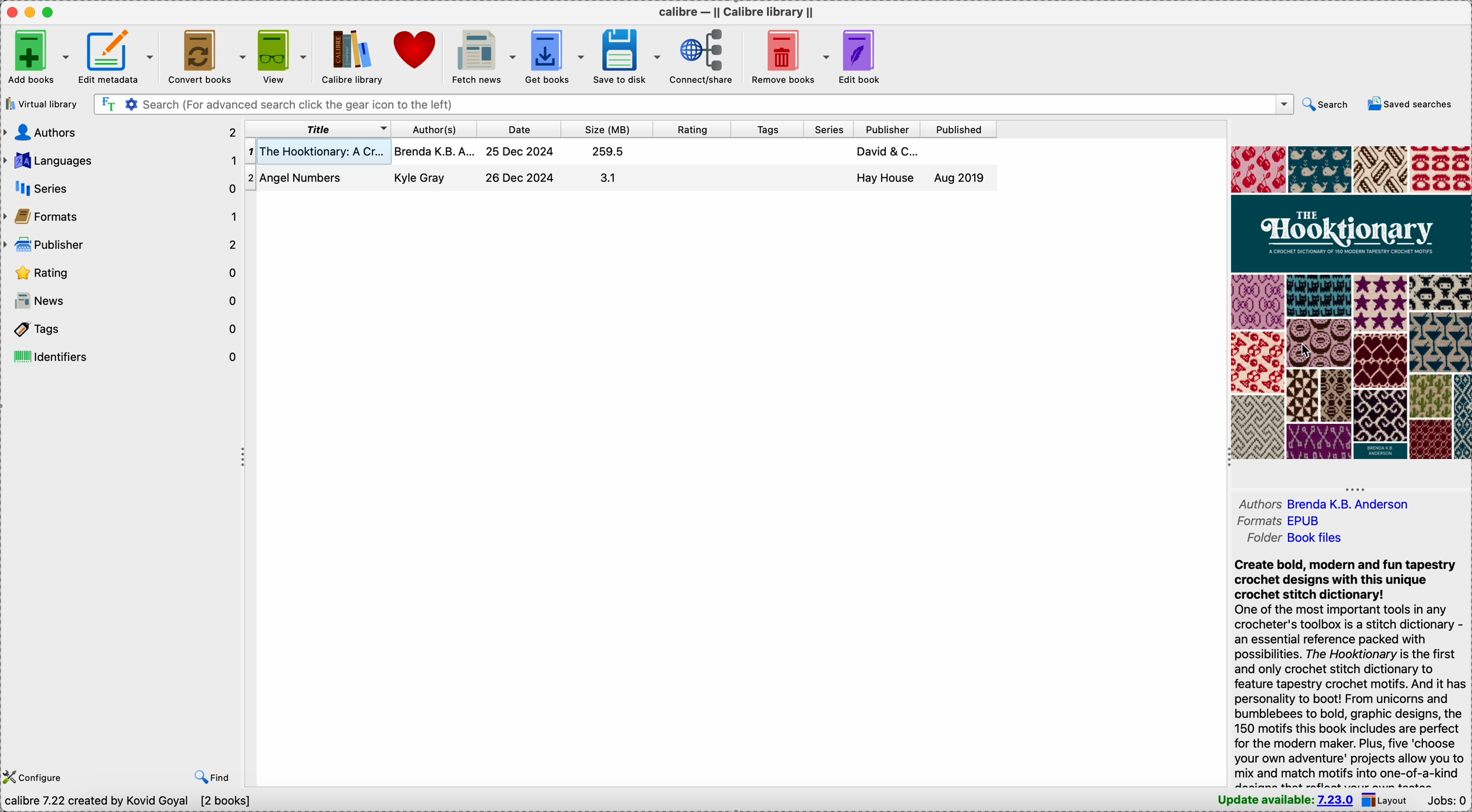 This screenshot has width=1472, height=812. I want to click on get books, so click(554, 57).